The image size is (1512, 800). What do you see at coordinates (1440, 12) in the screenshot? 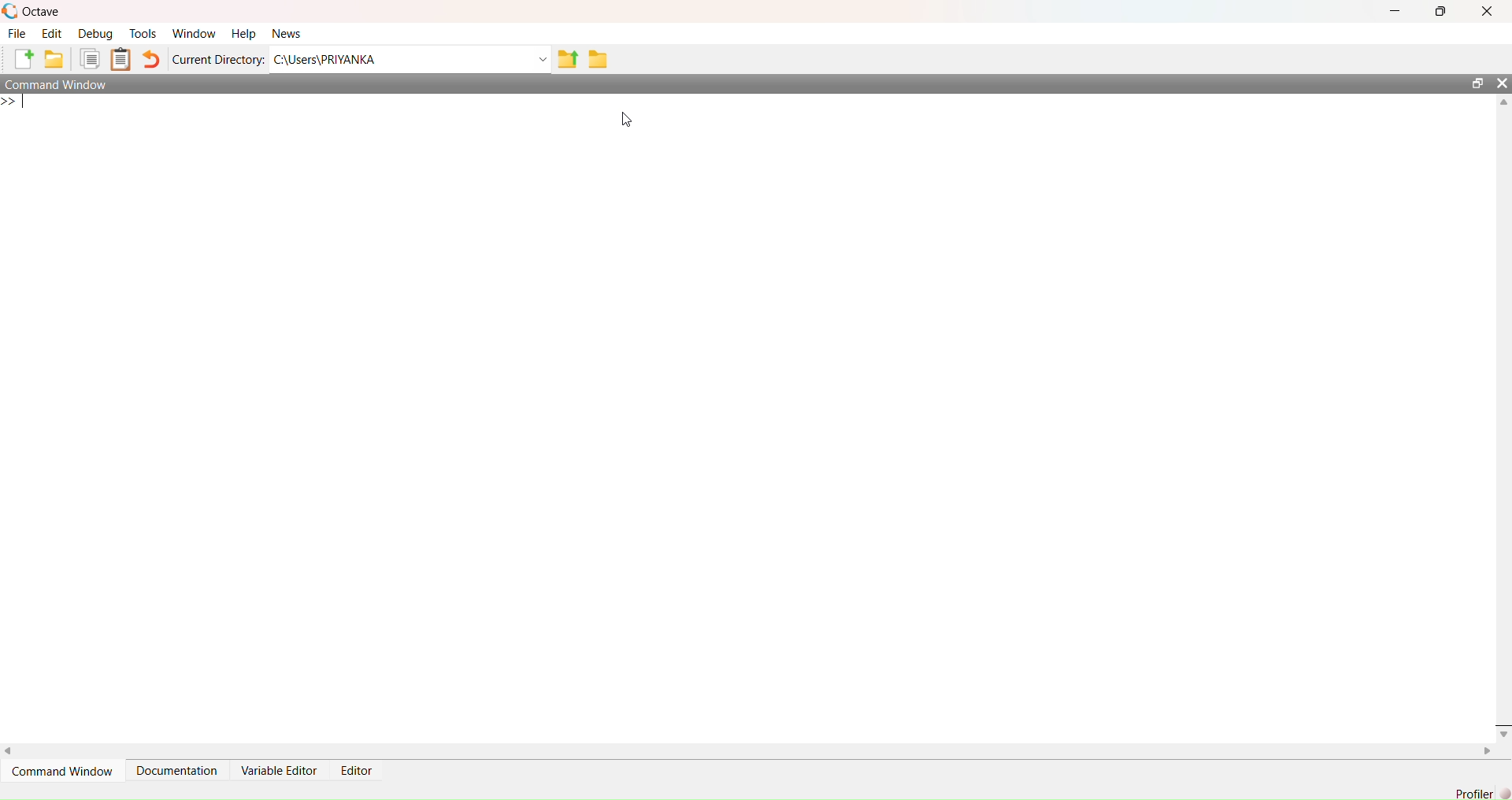
I see `Maximize / Restore` at bounding box center [1440, 12].